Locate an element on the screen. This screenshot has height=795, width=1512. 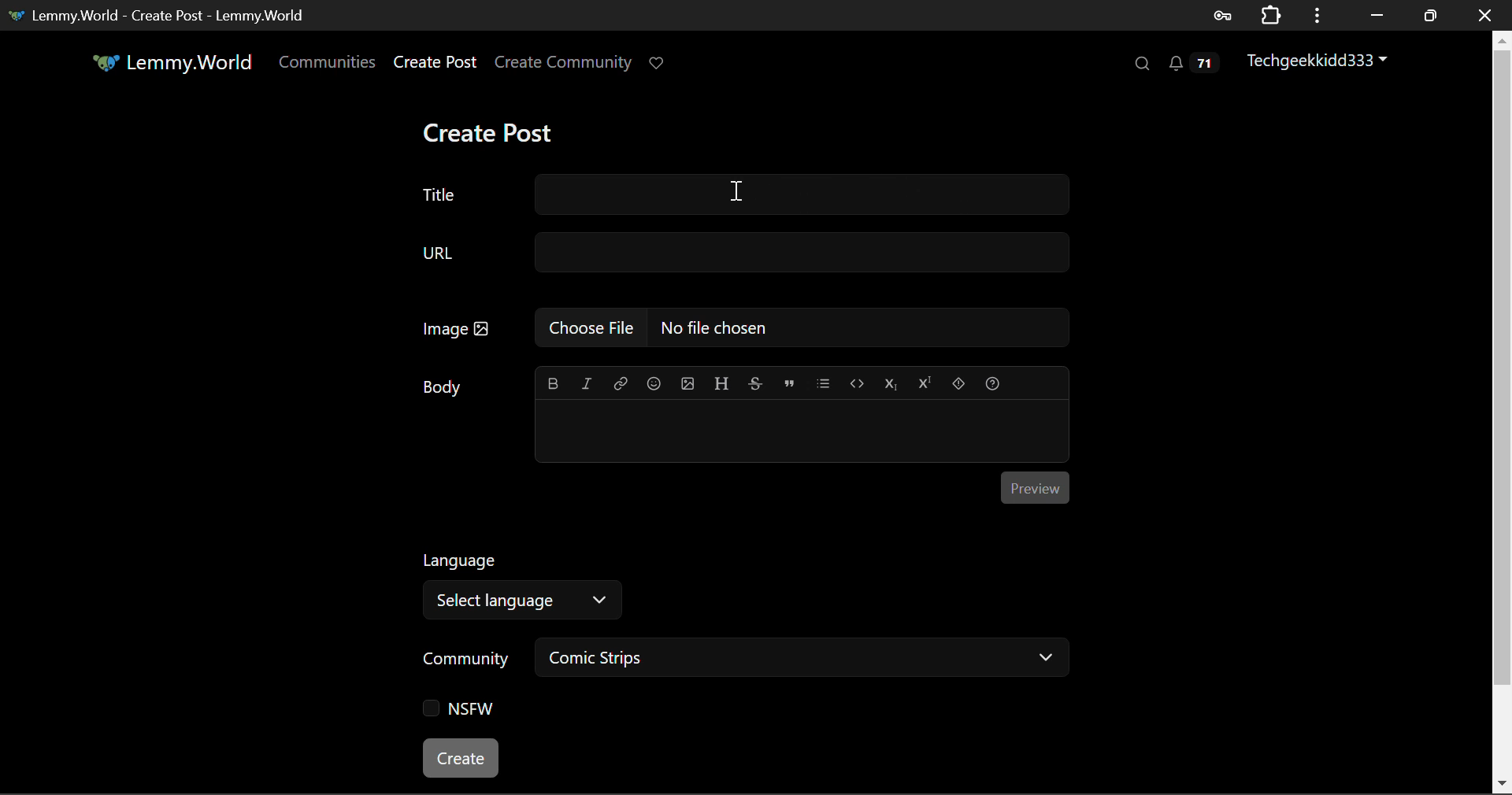
Search is located at coordinates (1142, 65).